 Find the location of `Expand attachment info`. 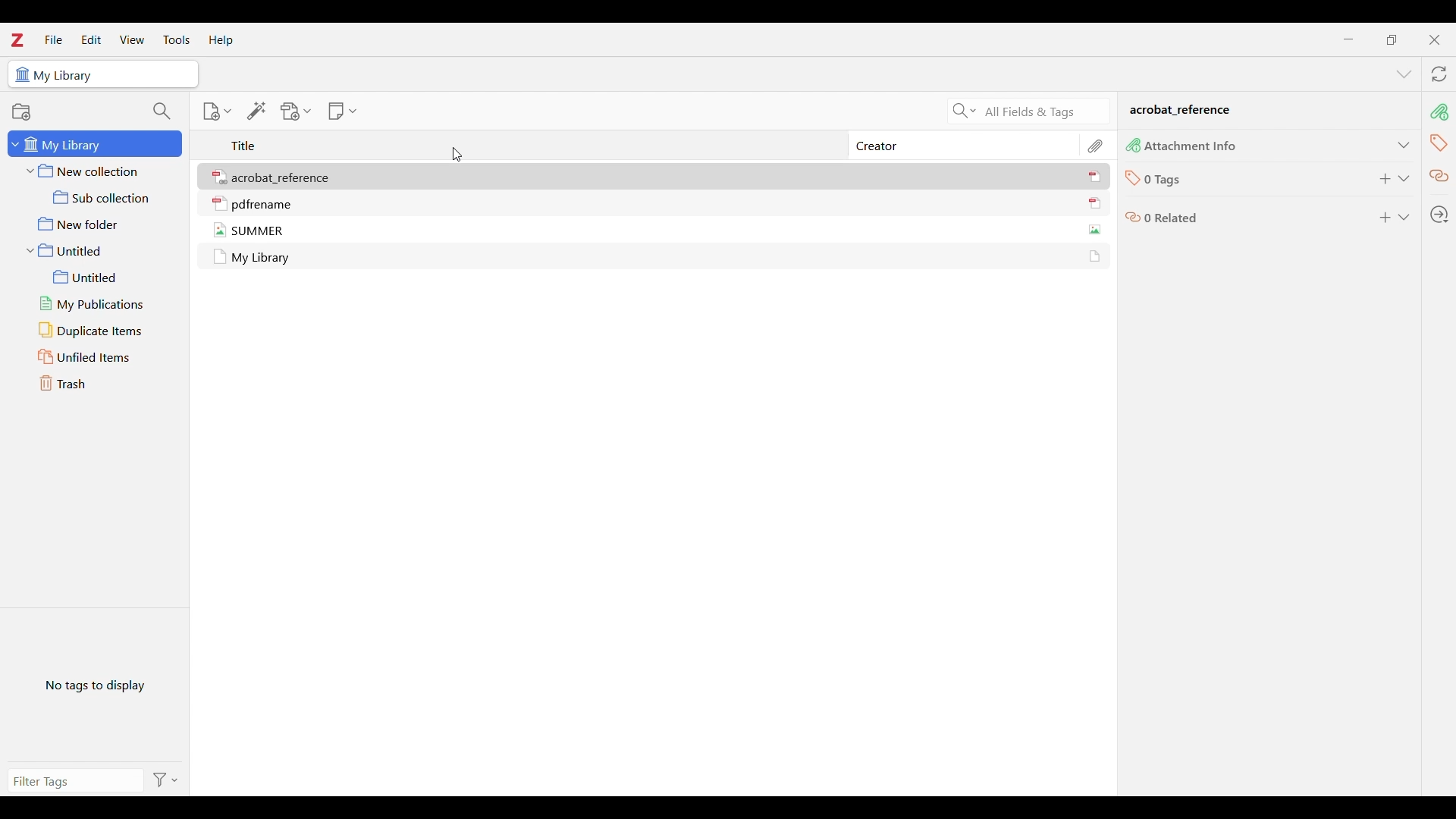

Expand attachment info is located at coordinates (1404, 145).